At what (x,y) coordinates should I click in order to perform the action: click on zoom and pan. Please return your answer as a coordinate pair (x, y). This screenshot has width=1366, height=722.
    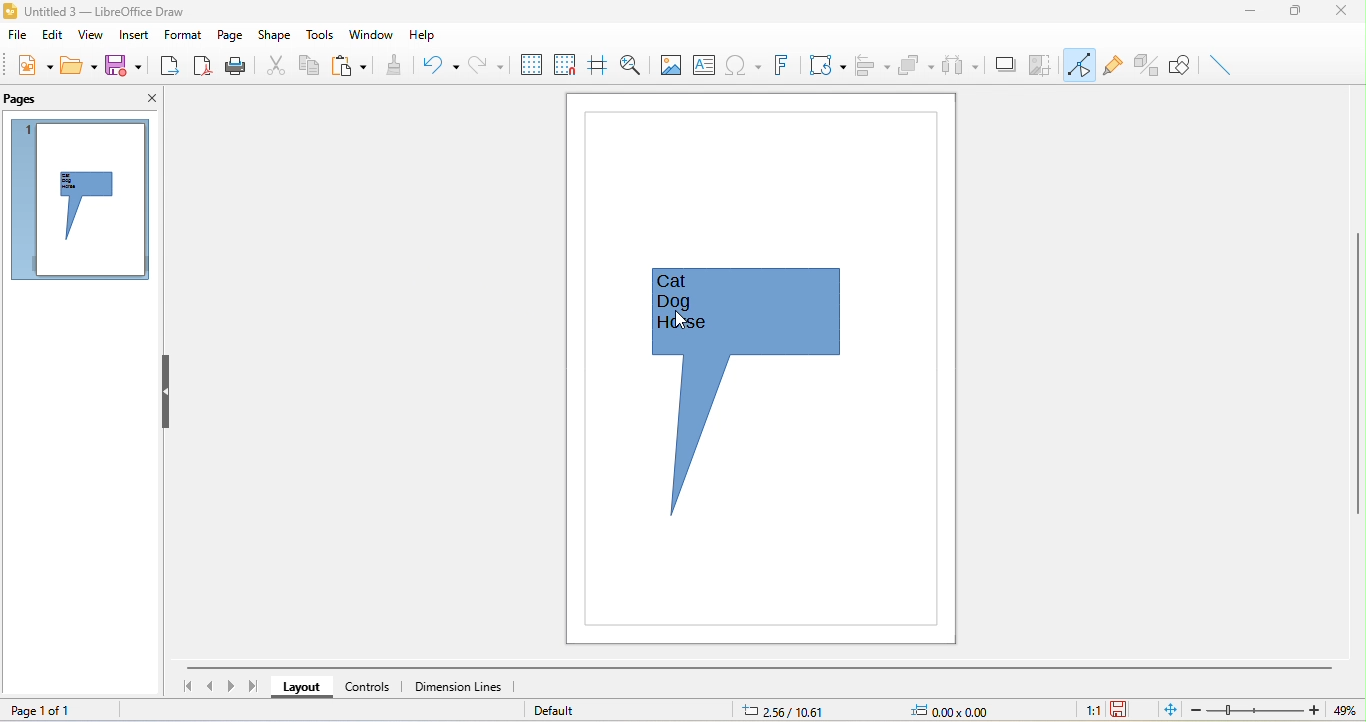
    Looking at the image, I should click on (633, 66).